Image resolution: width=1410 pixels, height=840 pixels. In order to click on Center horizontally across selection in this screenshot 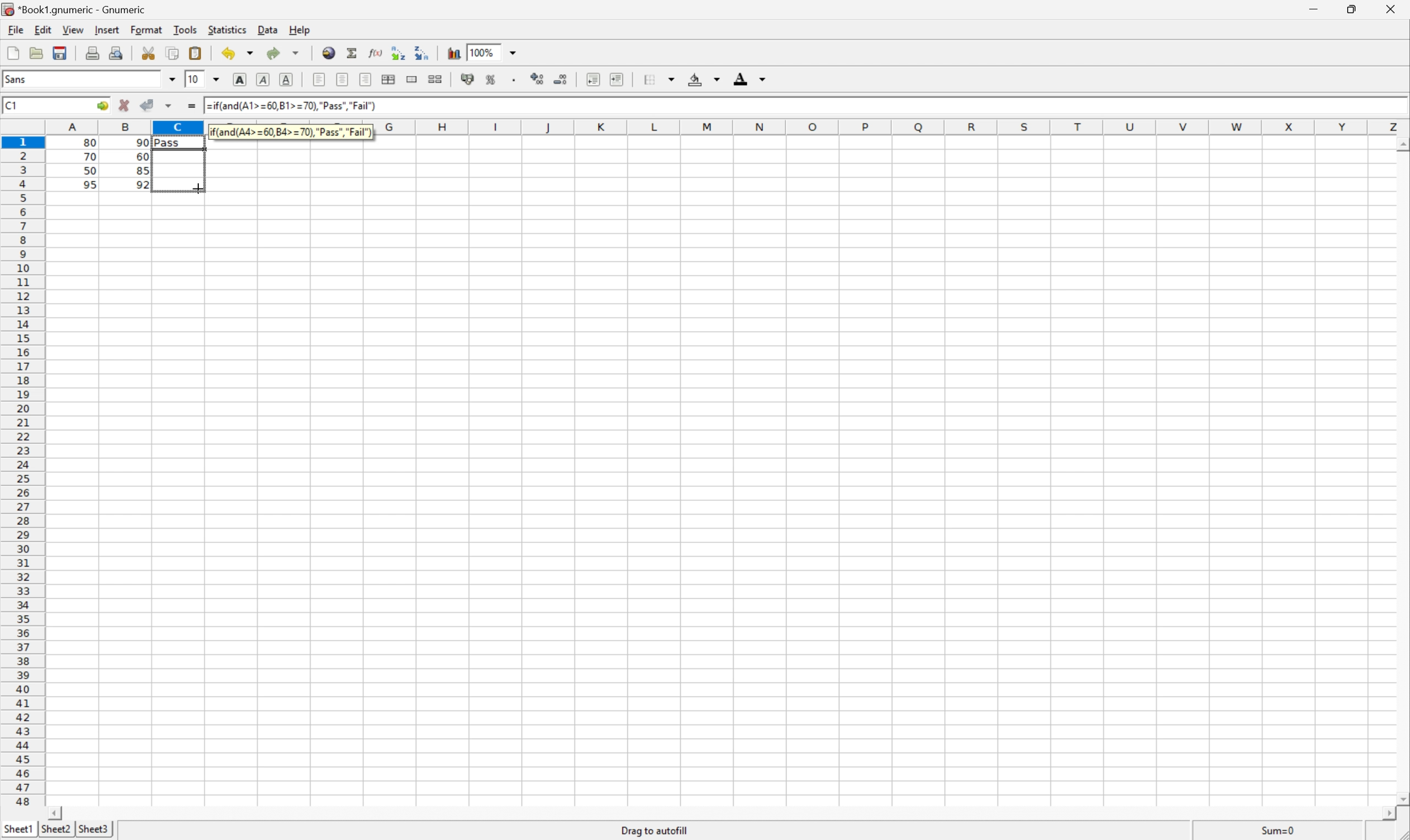, I will do `click(391, 78)`.